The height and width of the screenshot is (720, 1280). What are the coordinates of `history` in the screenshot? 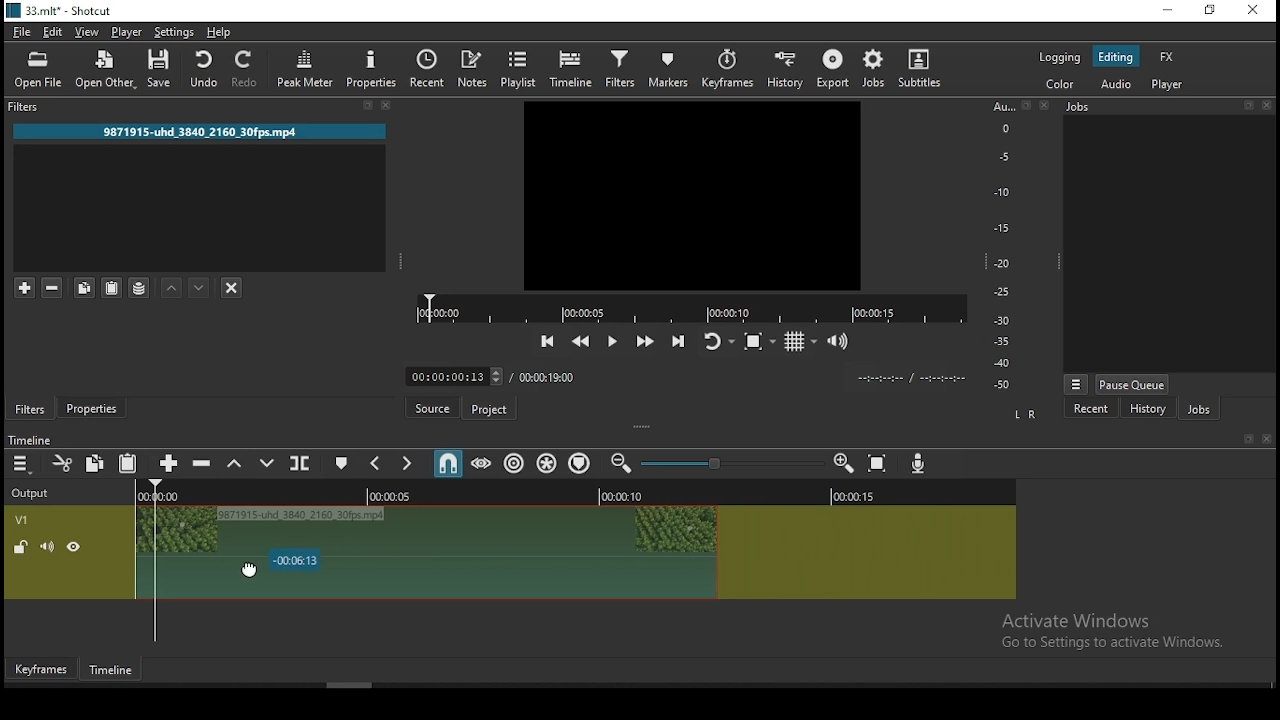 It's located at (1149, 408).